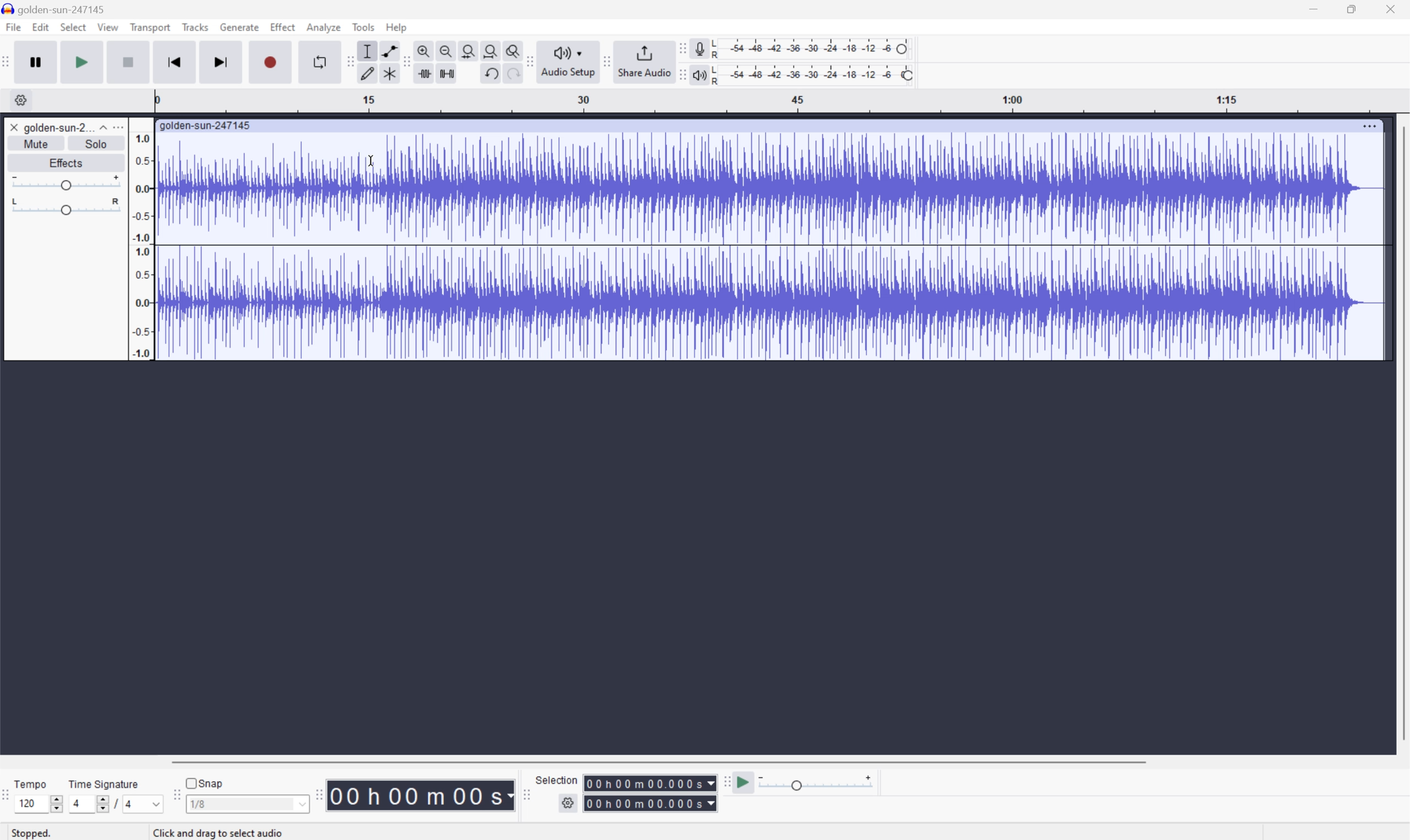 The width and height of the screenshot is (1410, 840). Describe the element at coordinates (96, 806) in the screenshot. I see `Slider` at that location.